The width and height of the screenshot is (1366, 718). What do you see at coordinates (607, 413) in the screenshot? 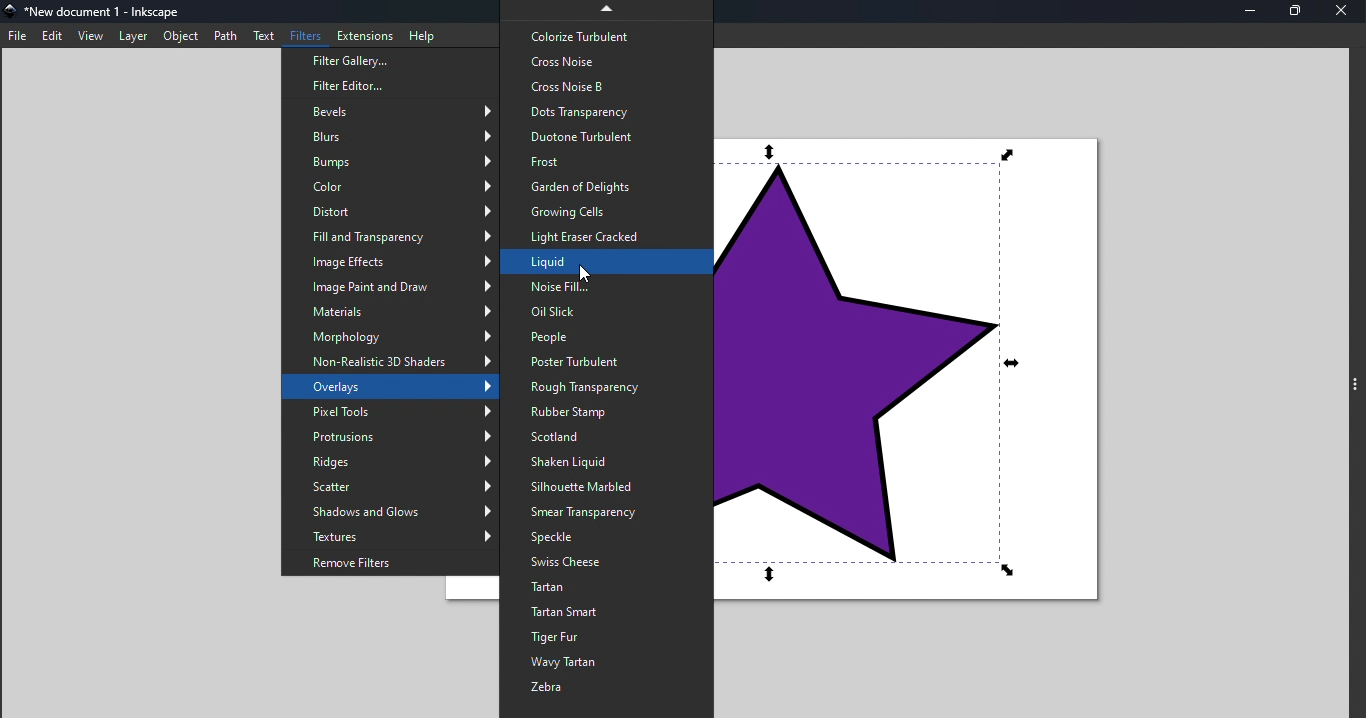
I see `Rubber stamp` at bounding box center [607, 413].